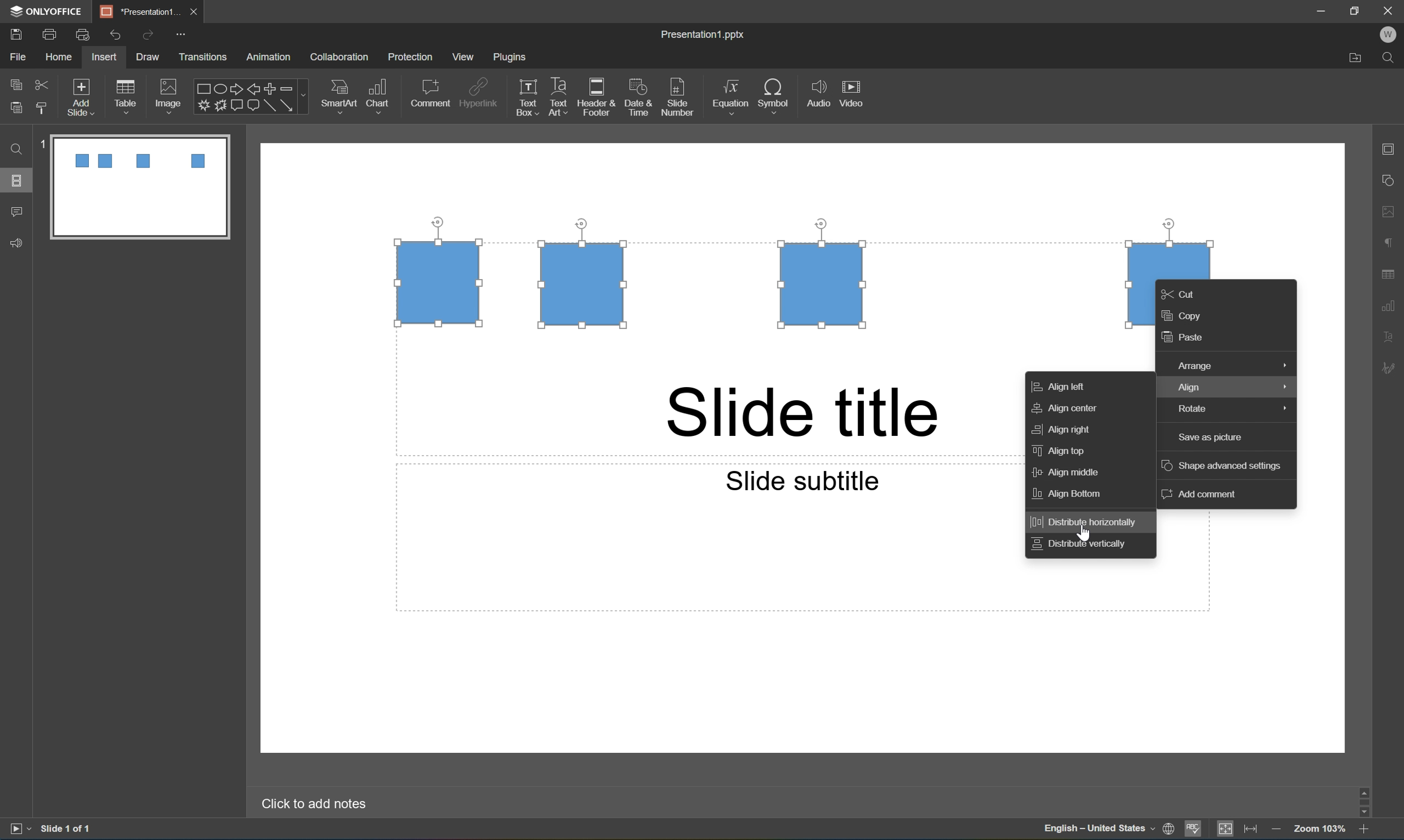  Describe the element at coordinates (1393, 150) in the screenshot. I see `slide settings` at that location.